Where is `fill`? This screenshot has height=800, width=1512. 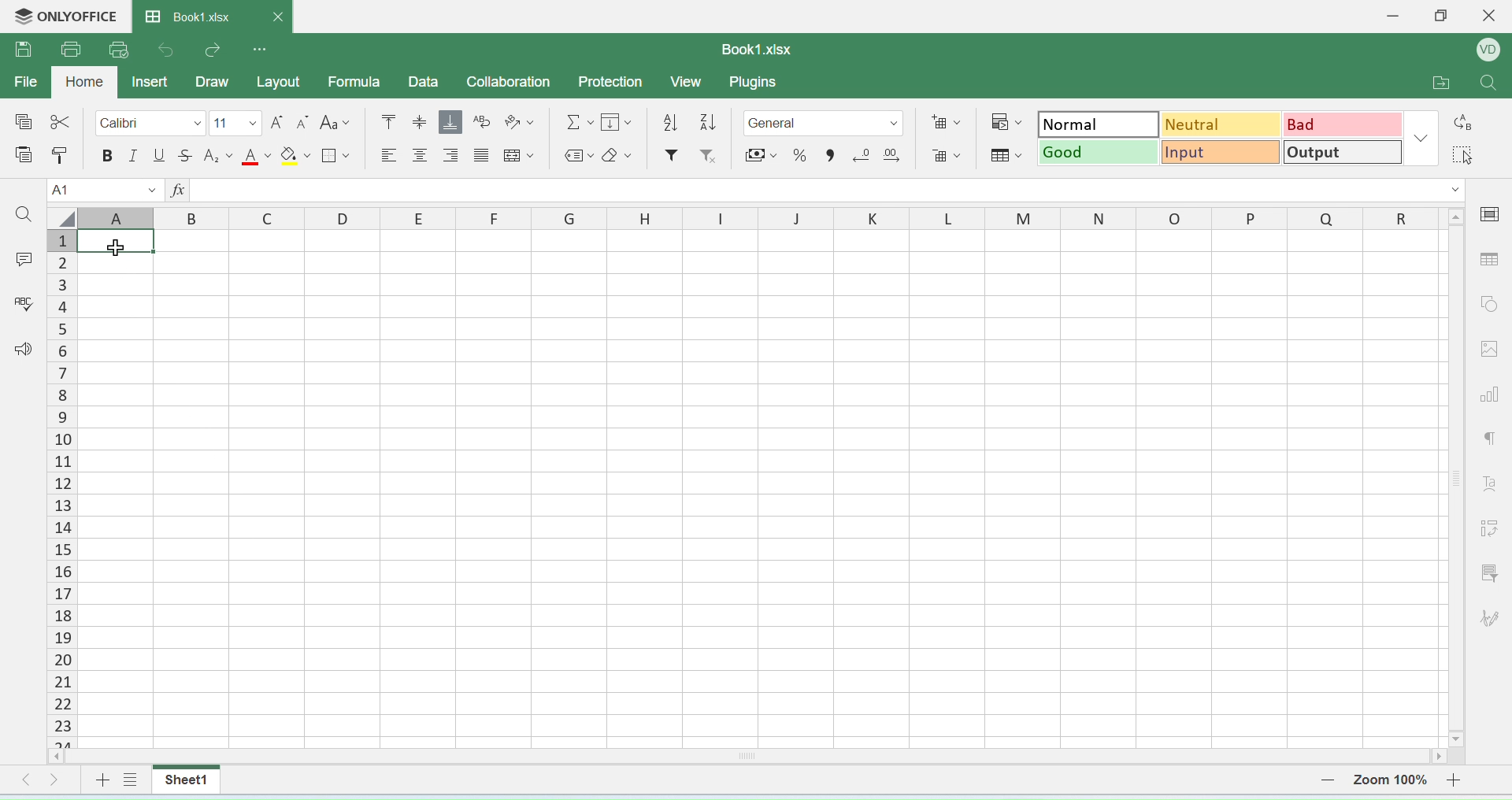
fill is located at coordinates (621, 124).